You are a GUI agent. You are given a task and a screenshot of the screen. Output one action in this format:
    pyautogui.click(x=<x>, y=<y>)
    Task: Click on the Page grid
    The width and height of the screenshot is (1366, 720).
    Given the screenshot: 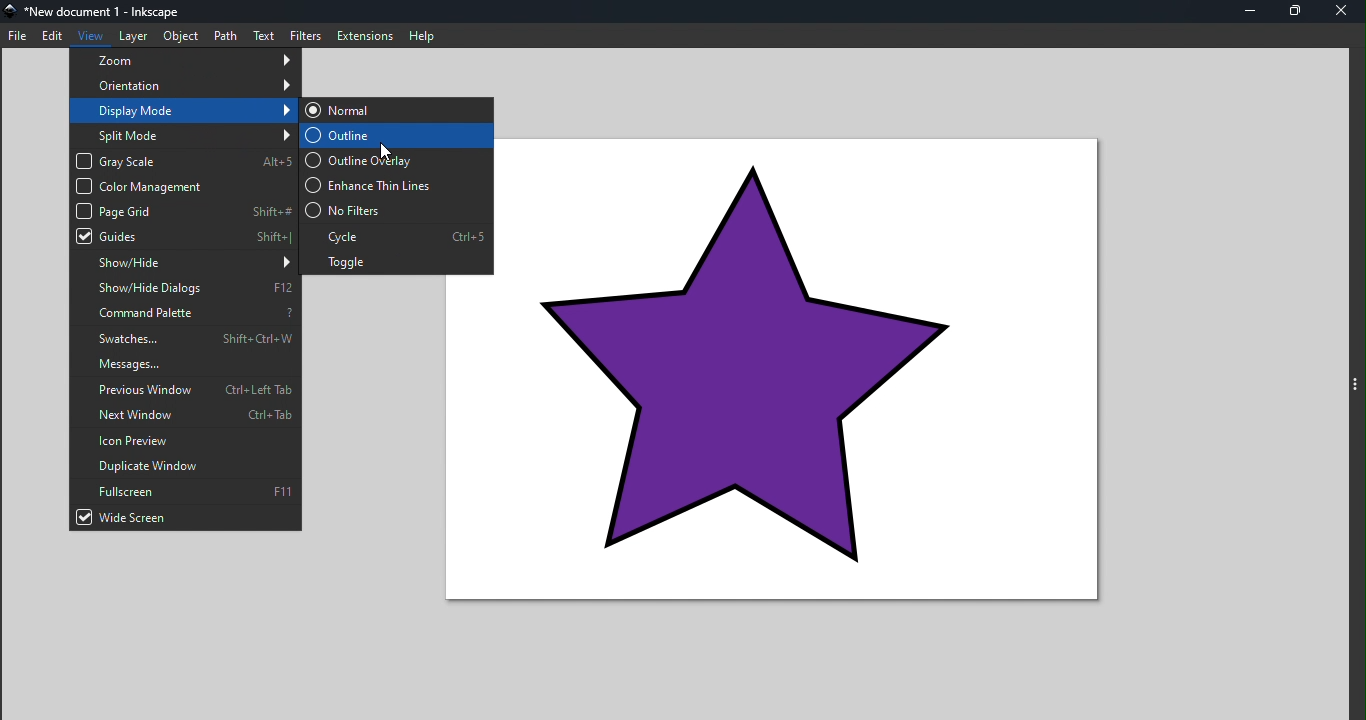 What is the action you would take?
    pyautogui.click(x=183, y=210)
    